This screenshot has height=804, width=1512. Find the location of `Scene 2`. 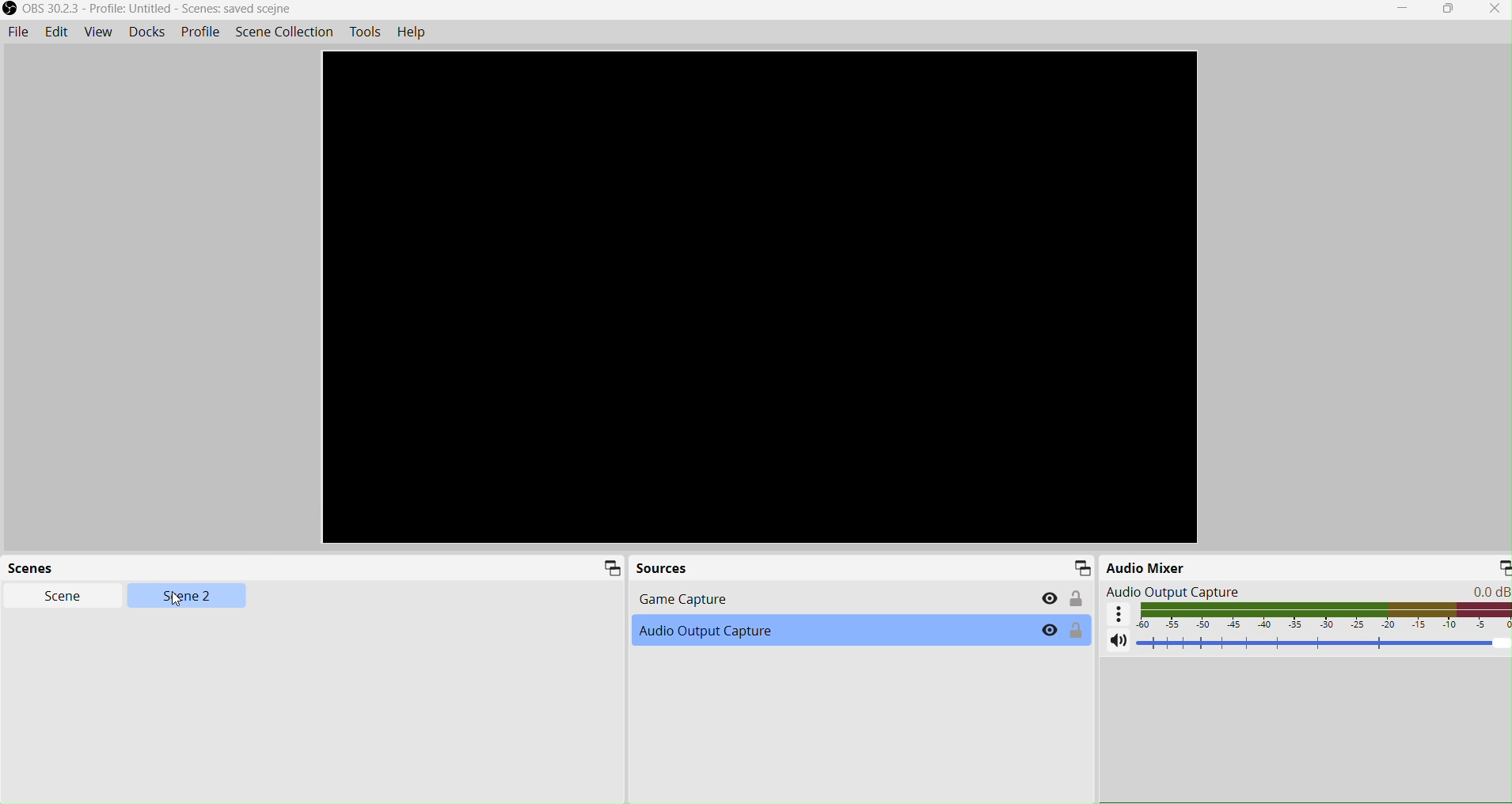

Scene 2 is located at coordinates (188, 595).